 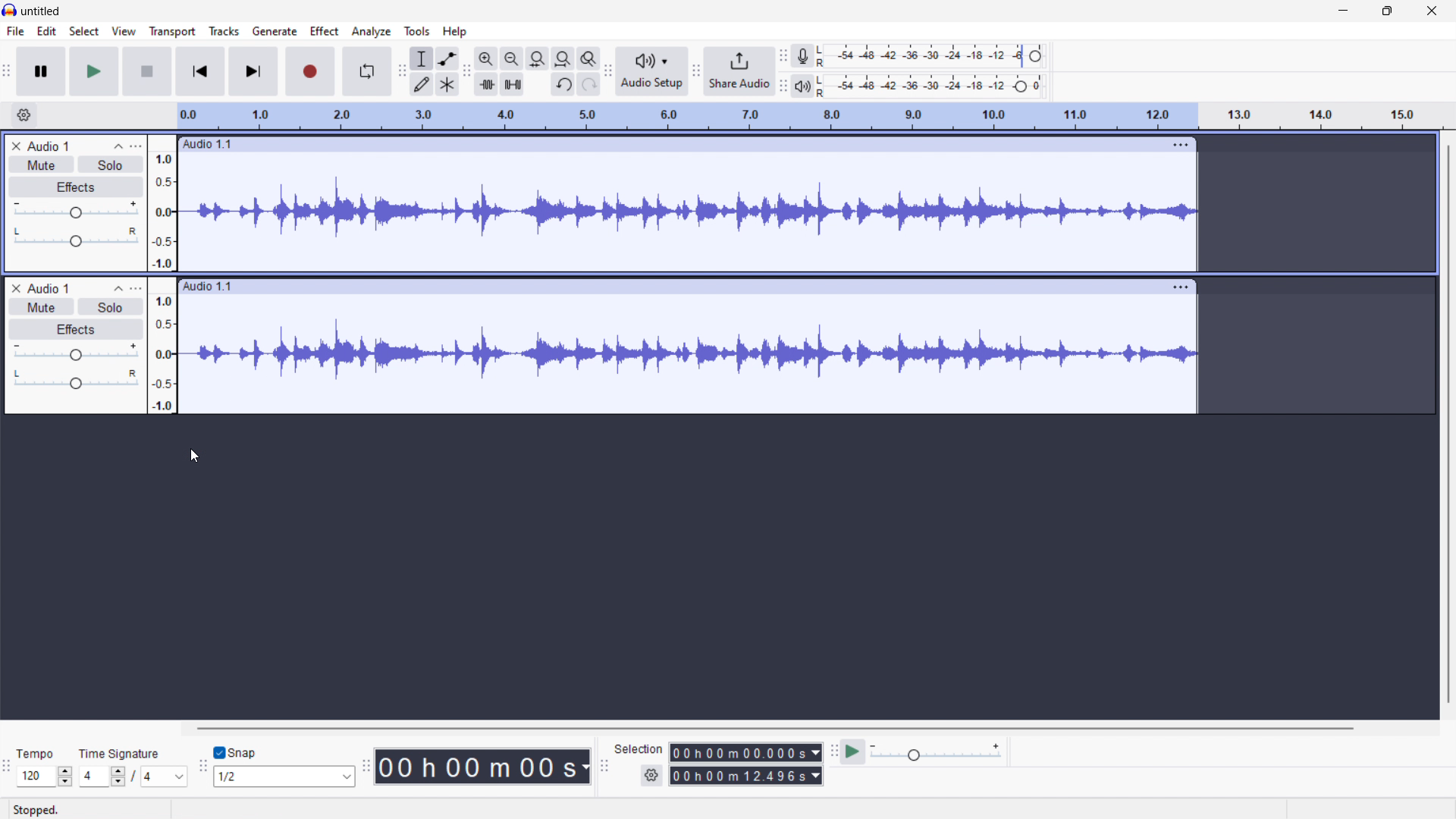 I want to click on remove track, so click(x=15, y=146).